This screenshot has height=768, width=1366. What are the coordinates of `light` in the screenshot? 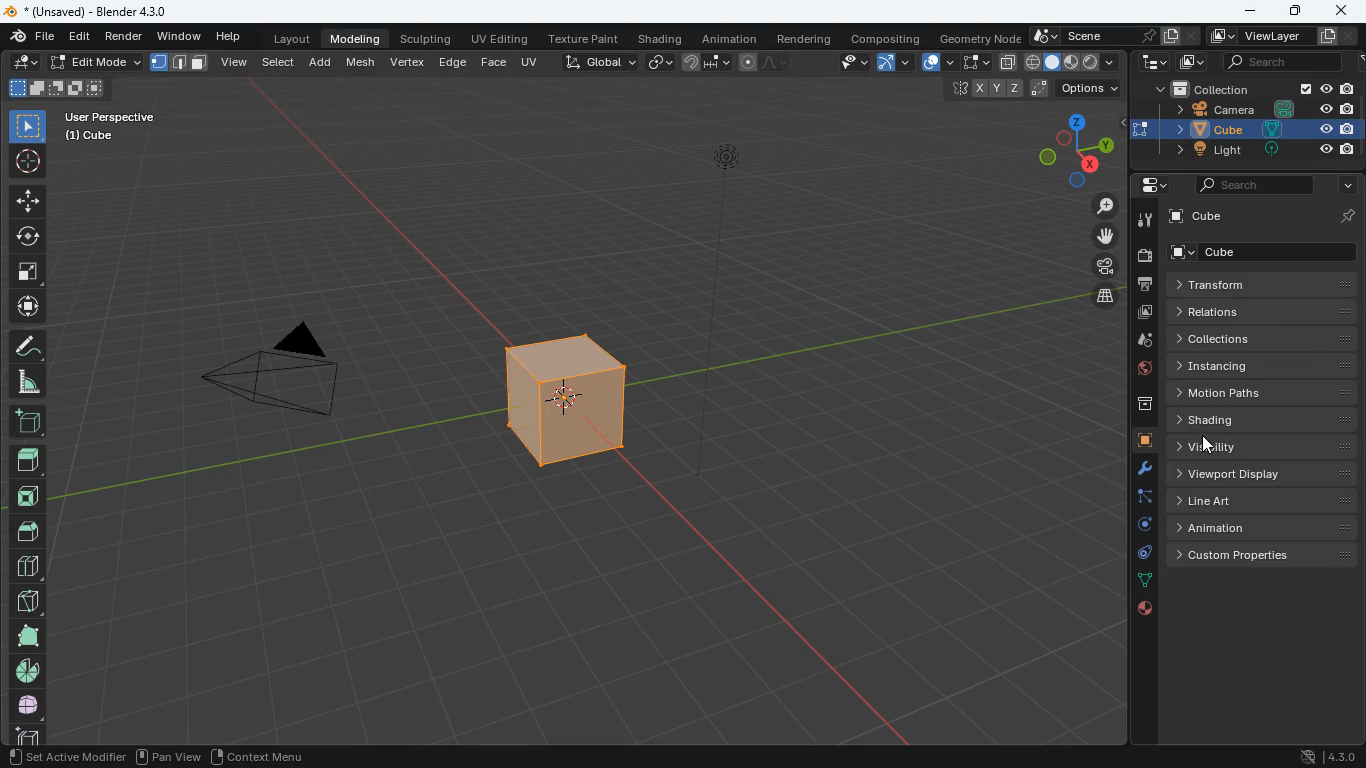 It's located at (750, 267).